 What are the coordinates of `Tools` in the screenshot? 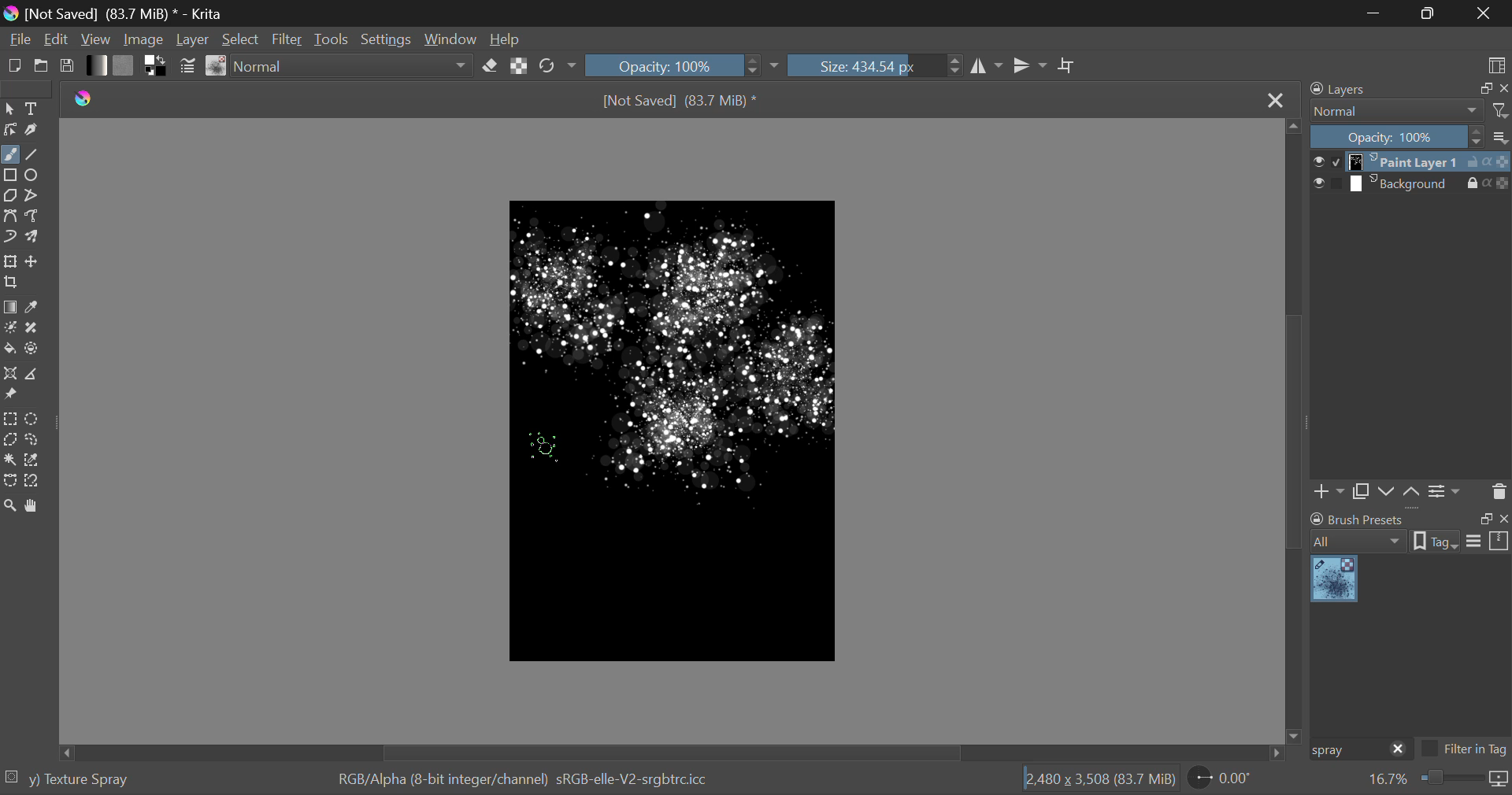 It's located at (334, 39).